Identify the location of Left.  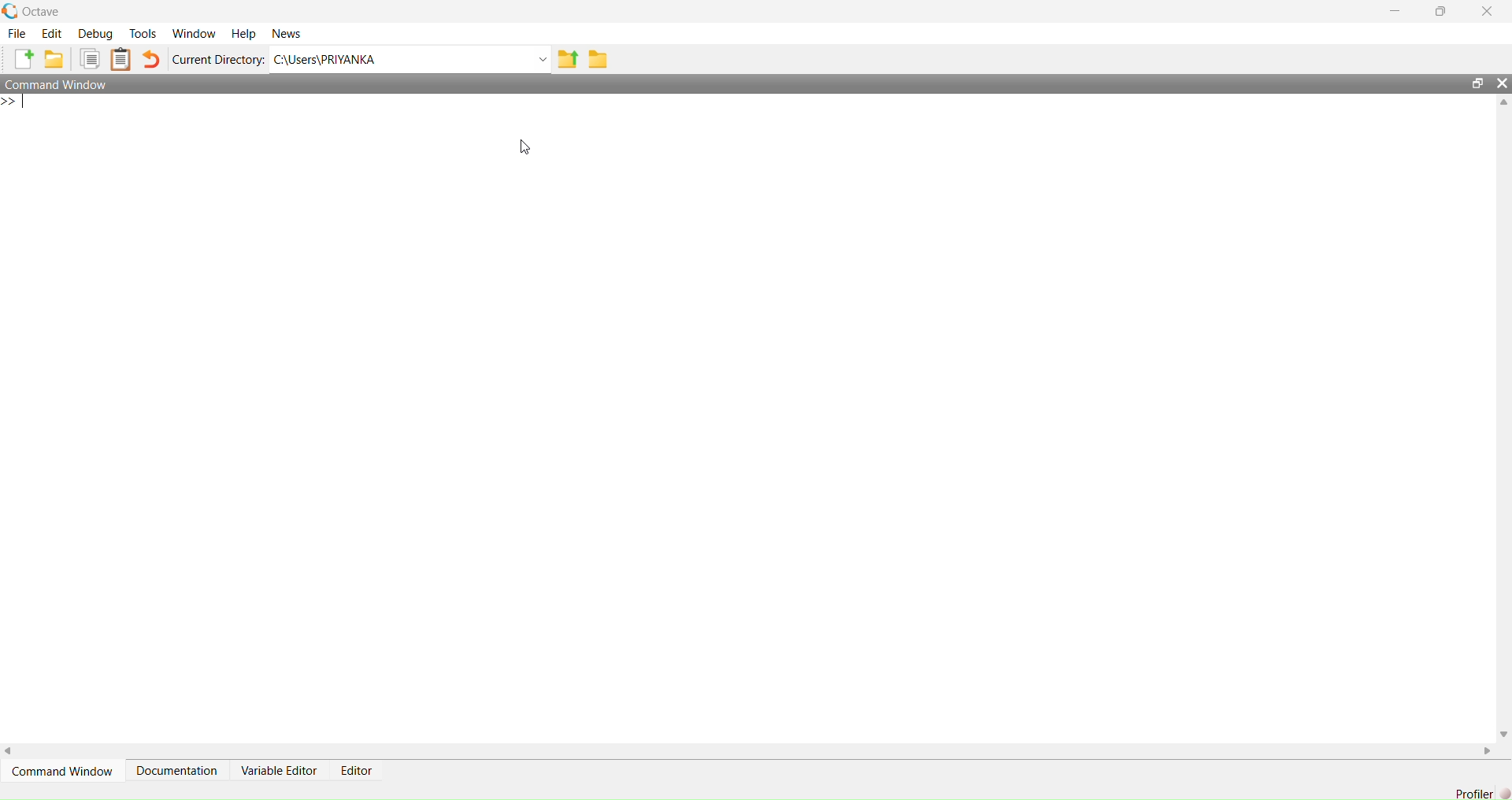
(13, 747).